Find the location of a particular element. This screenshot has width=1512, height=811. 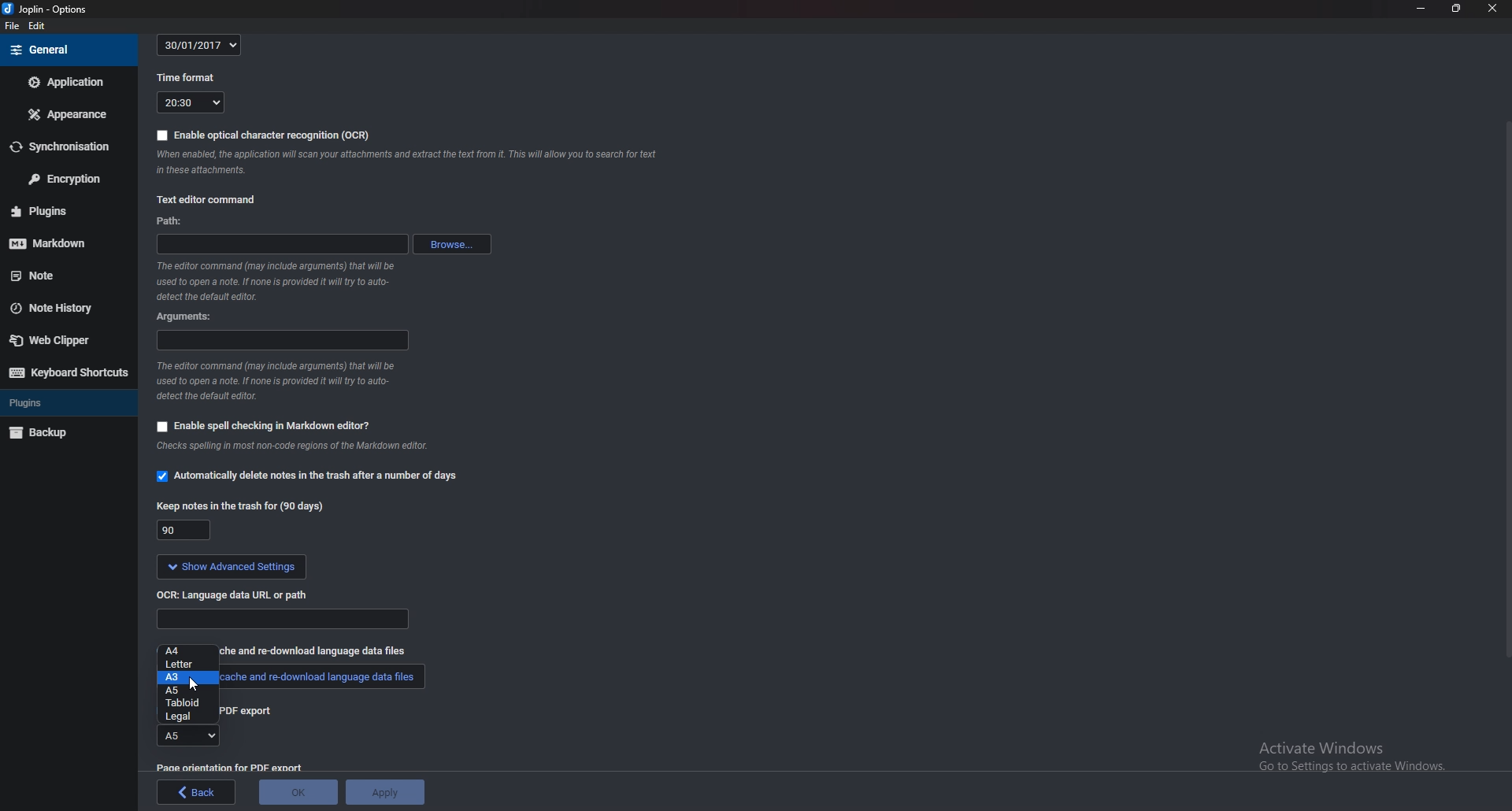

cursor is located at coordinates (194, 683).